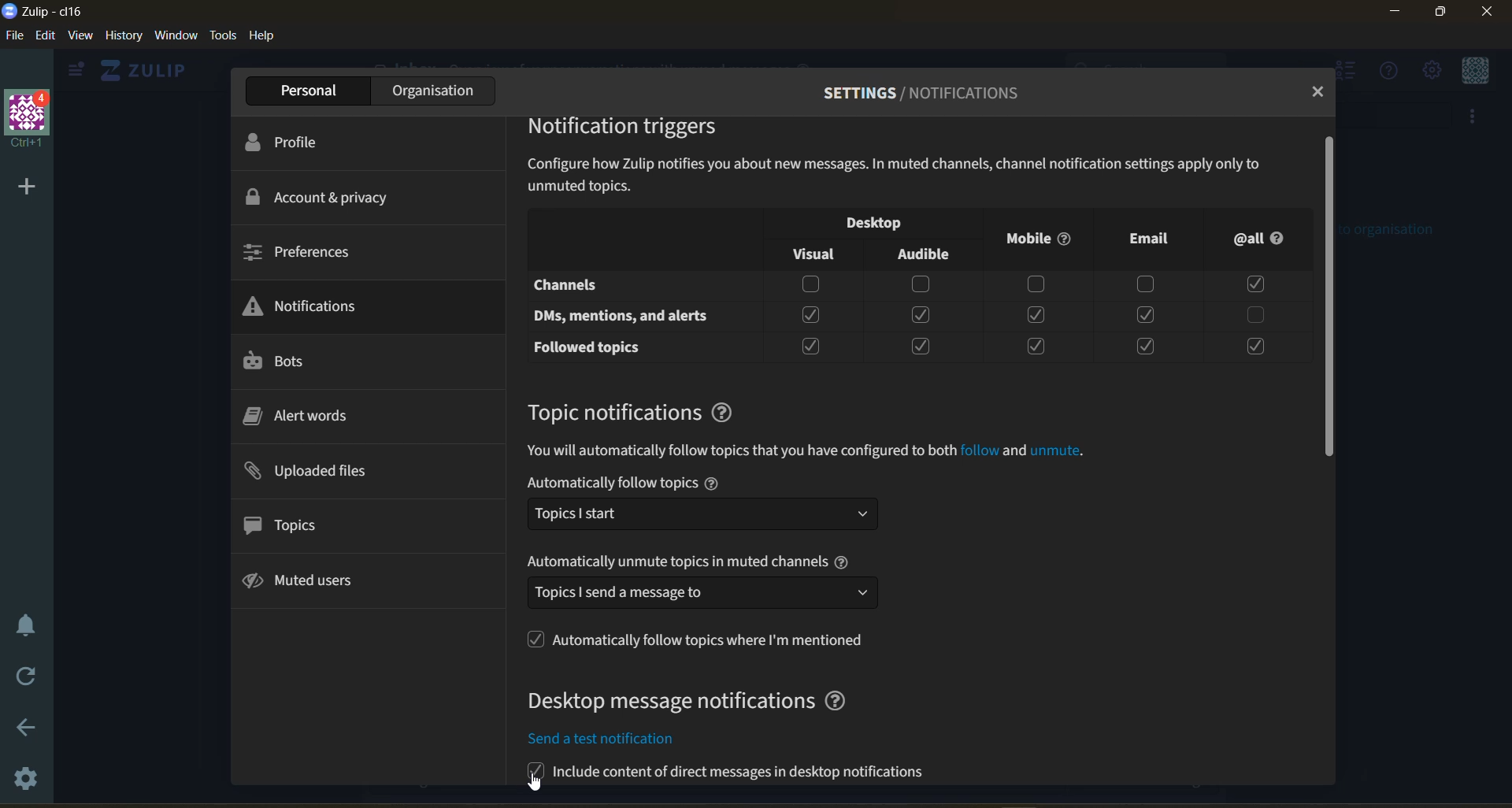 The height and width of the screenshot is (808, 1512). Describe the element at coordinates (810, 451) in the screenshot. I see `information` at that location.